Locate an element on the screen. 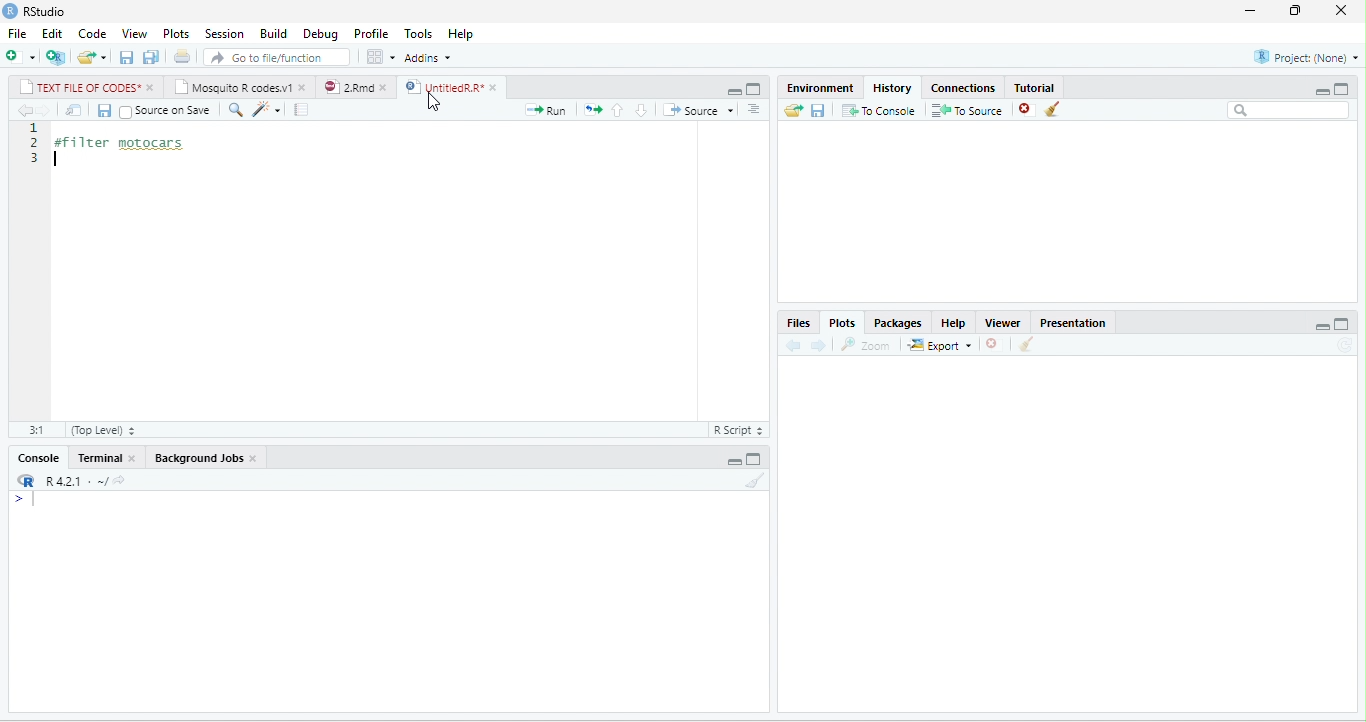 The width and height of the screenshot is (1366, 722). Addins is located at coordinates (427, 57).